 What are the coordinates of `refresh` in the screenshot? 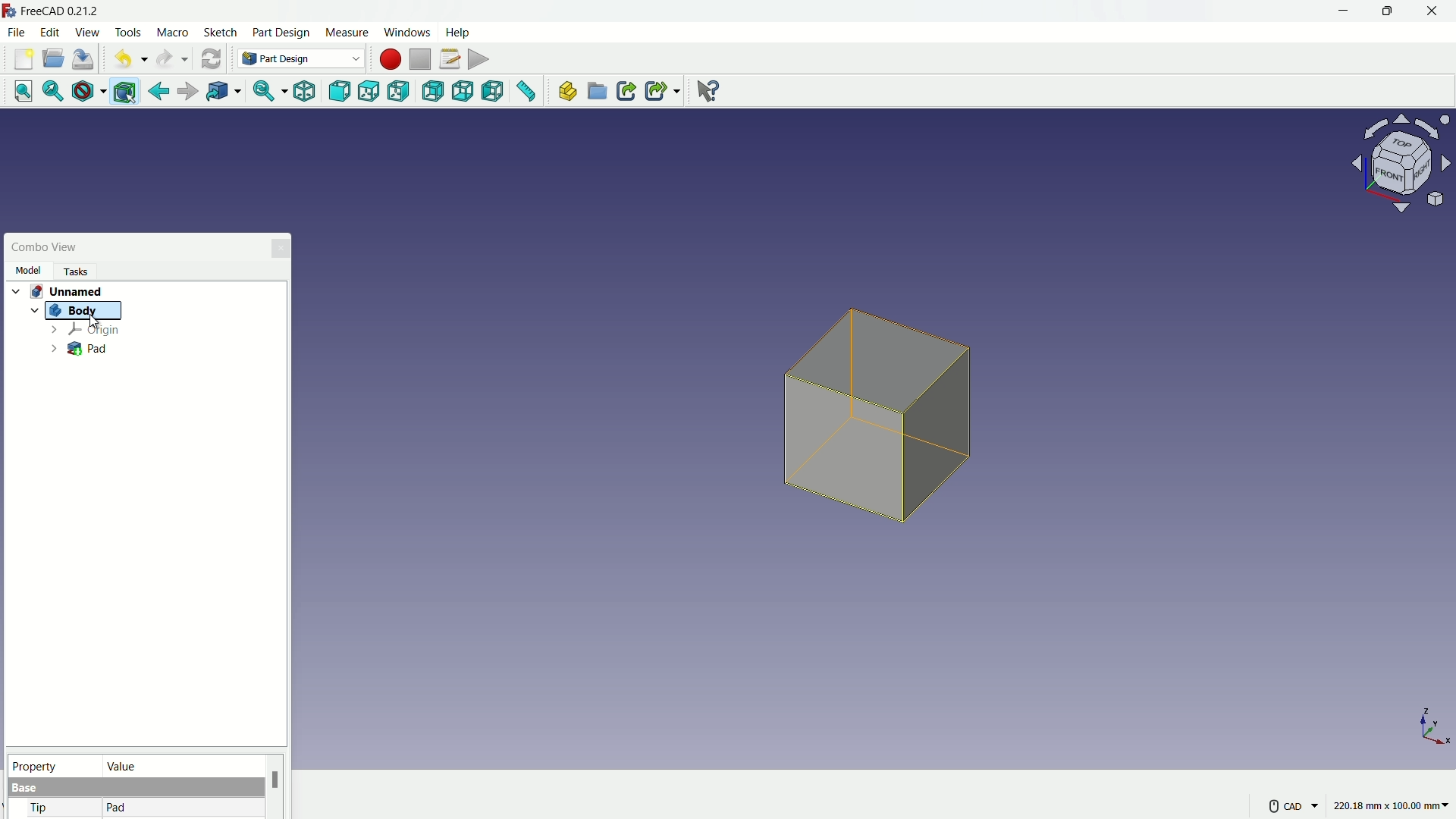 It's located at (211, 58).